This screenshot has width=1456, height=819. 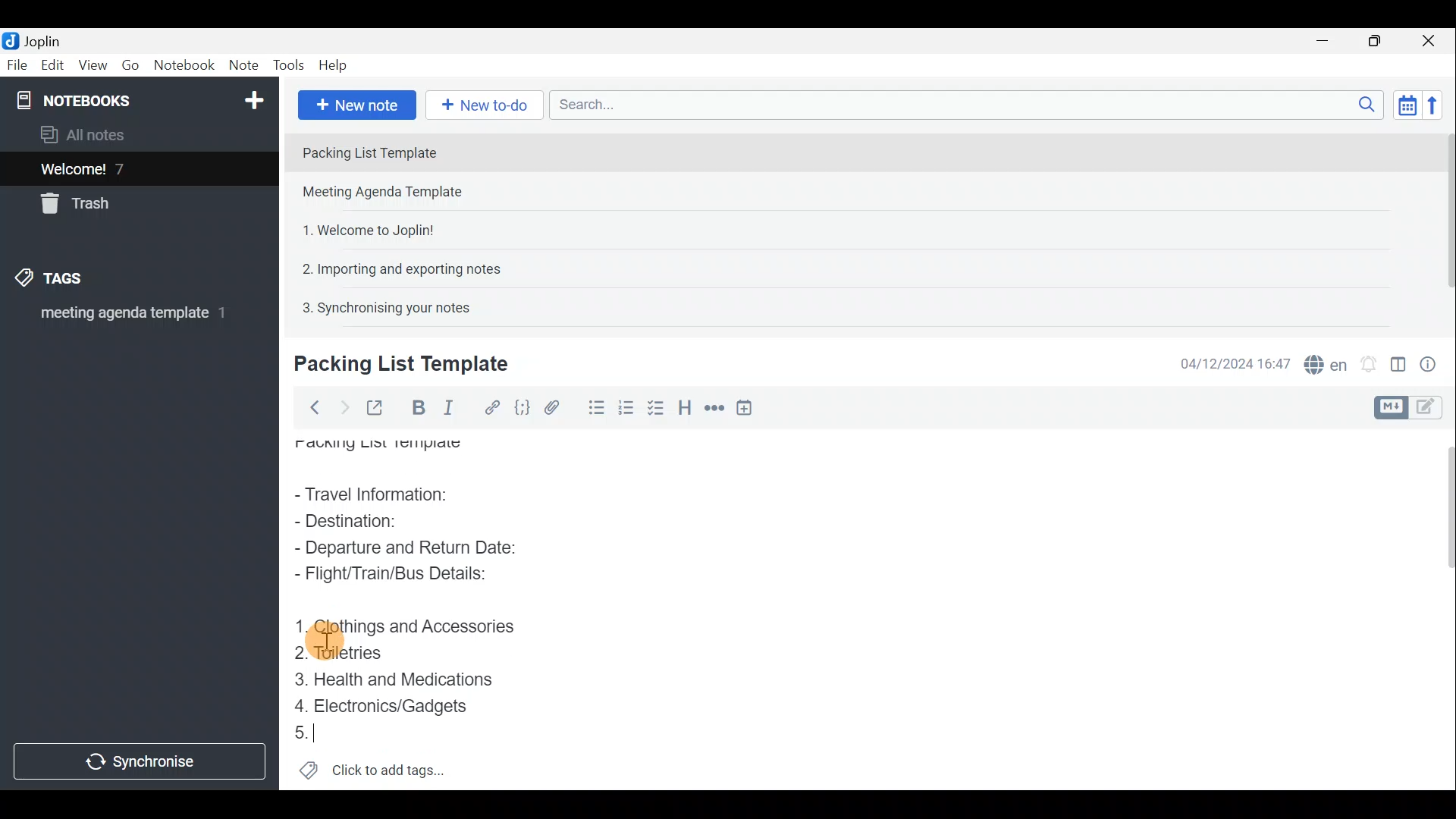 What do you see at coordinates (356, 103) in the screenshot?
I see `New note` at bounding box center [356, 103].